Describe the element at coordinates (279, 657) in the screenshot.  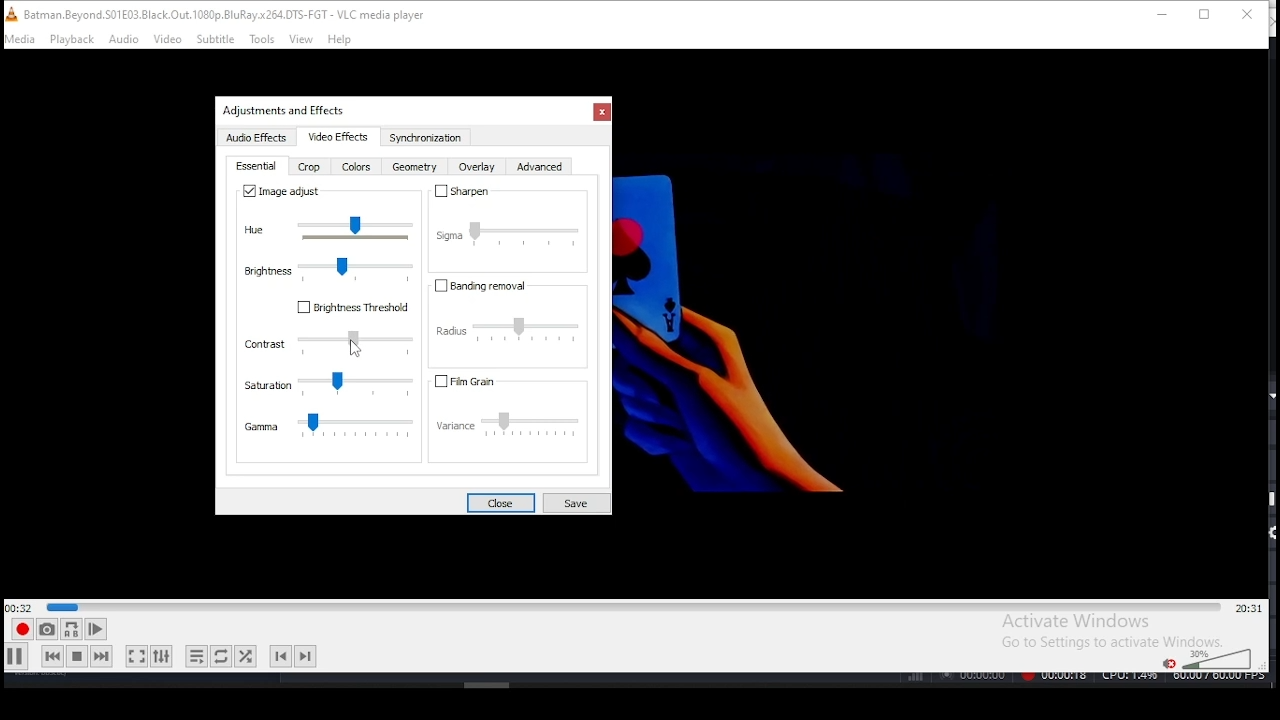
I see `previous chapter` at that location.